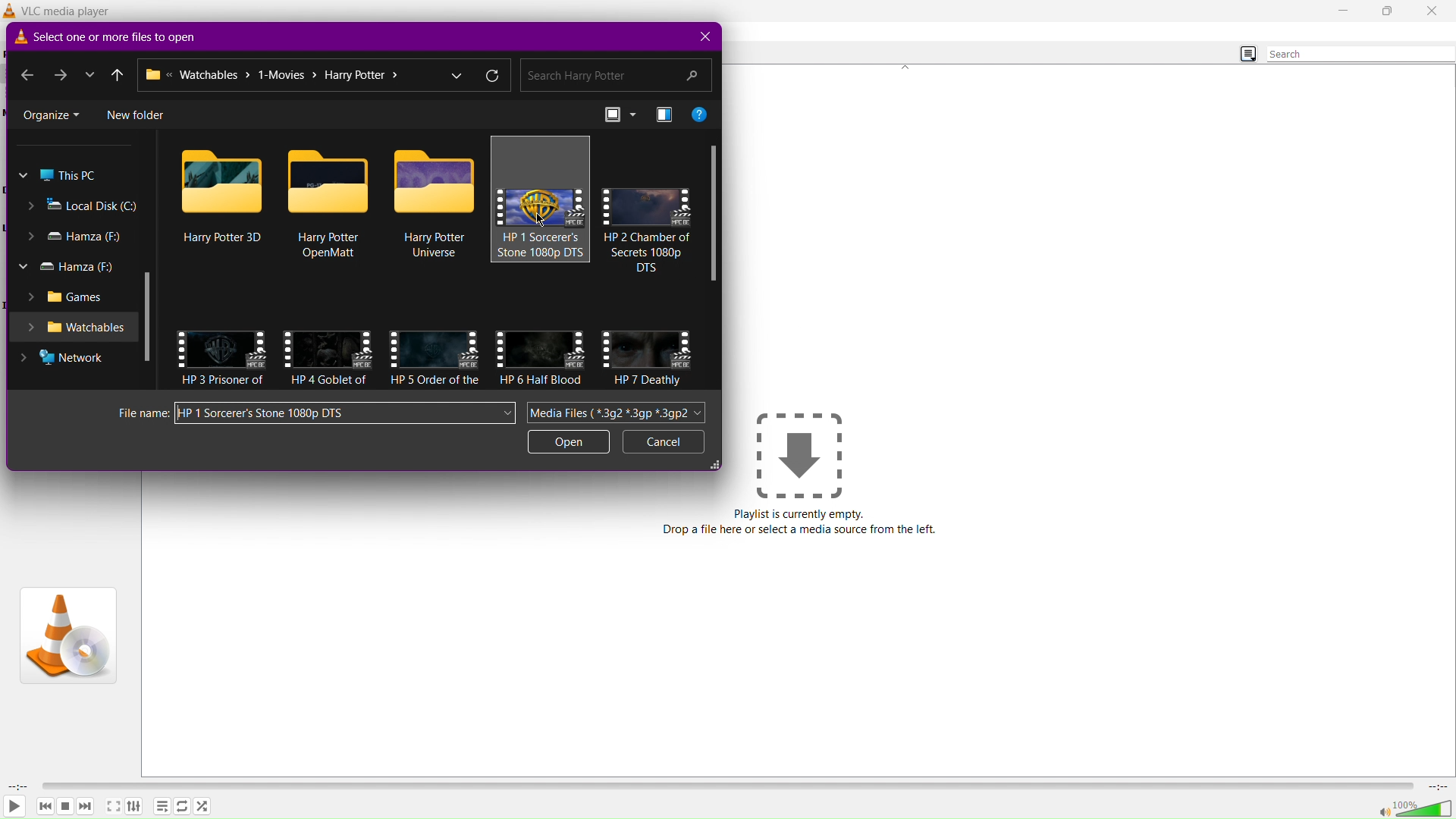  Describe the element at coordinates (67, 296) in the screenshot. I see `games` at that location.